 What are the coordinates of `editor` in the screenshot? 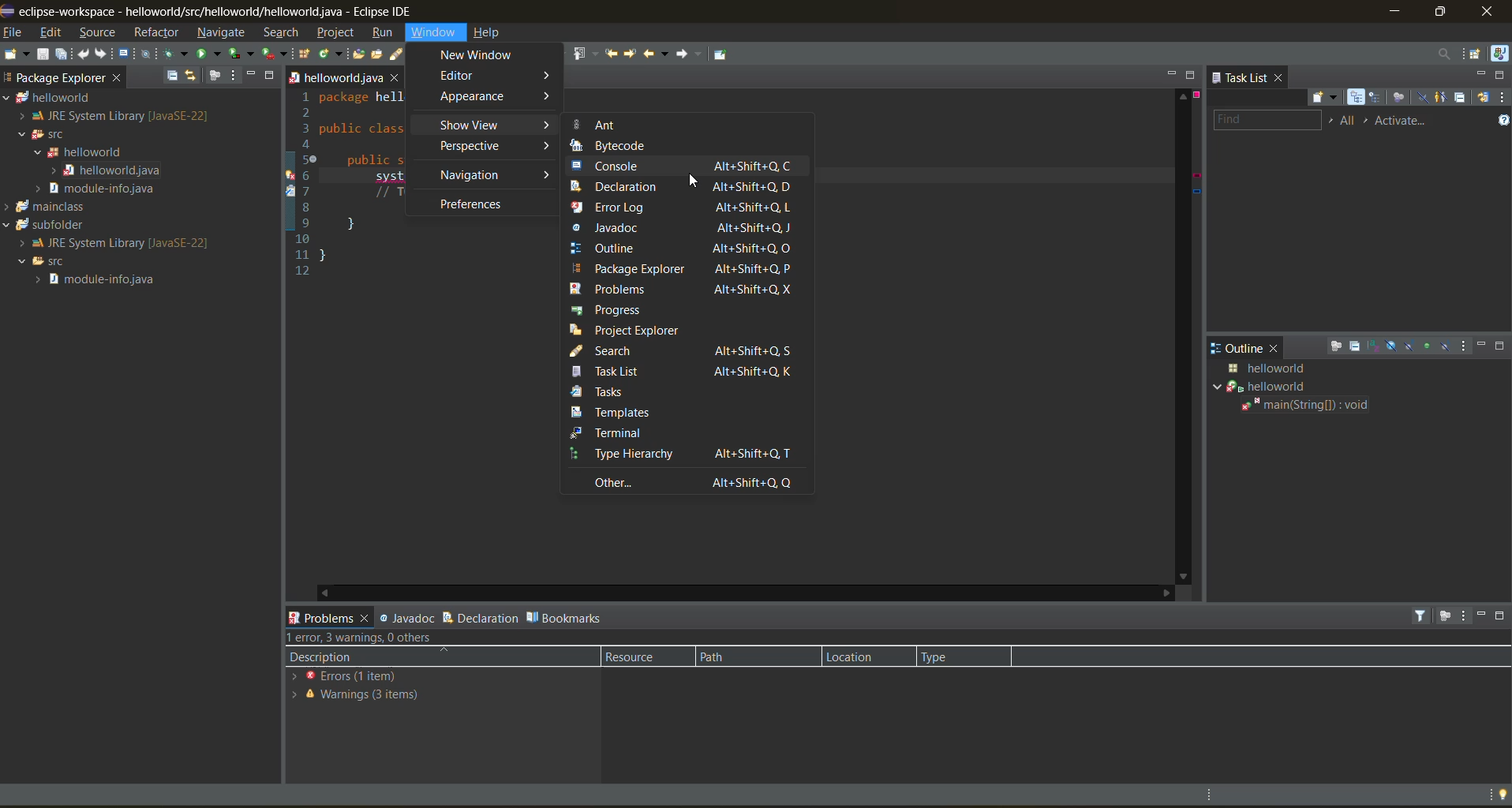 It's located at (490, 76).